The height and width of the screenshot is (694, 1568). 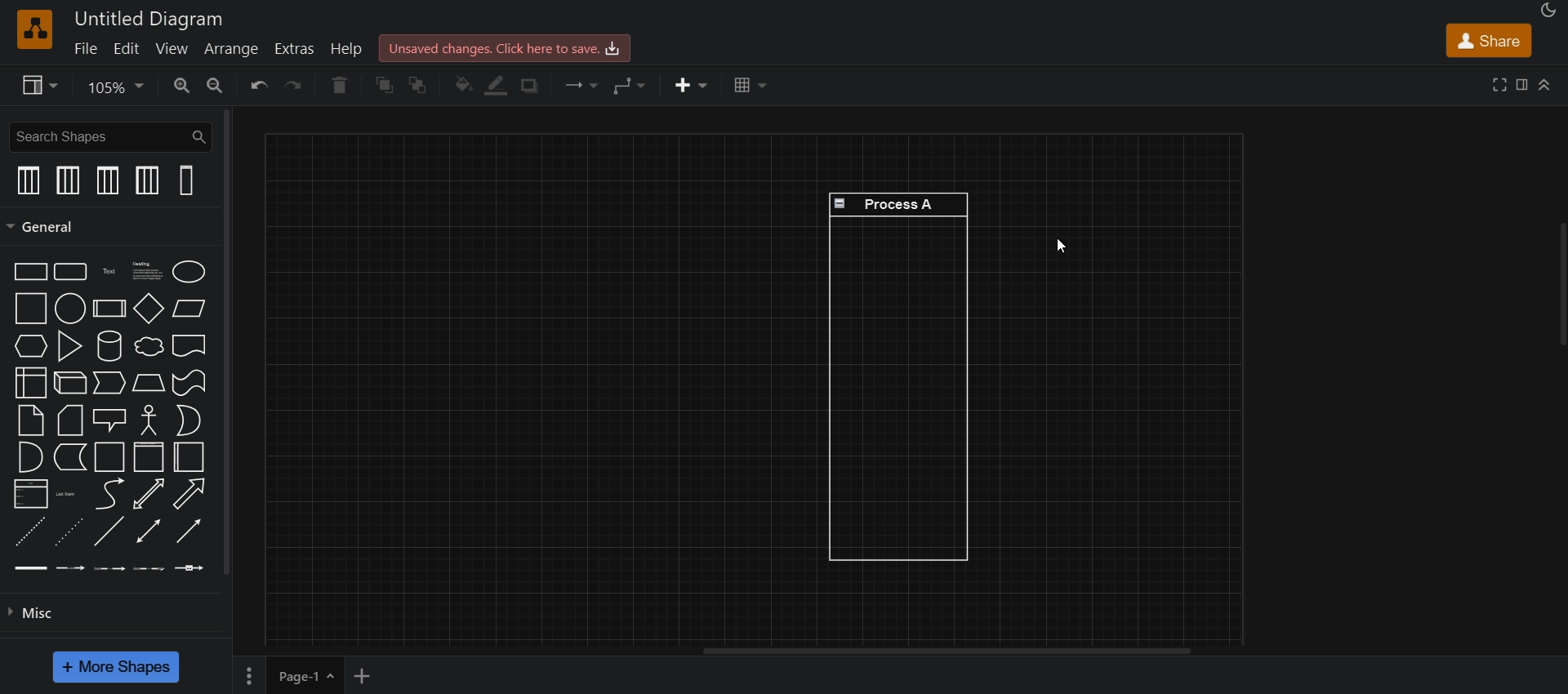 What do you see at coordinates (32, 421) in the screenshot?
I see `note` at bounding box center [32, 421].